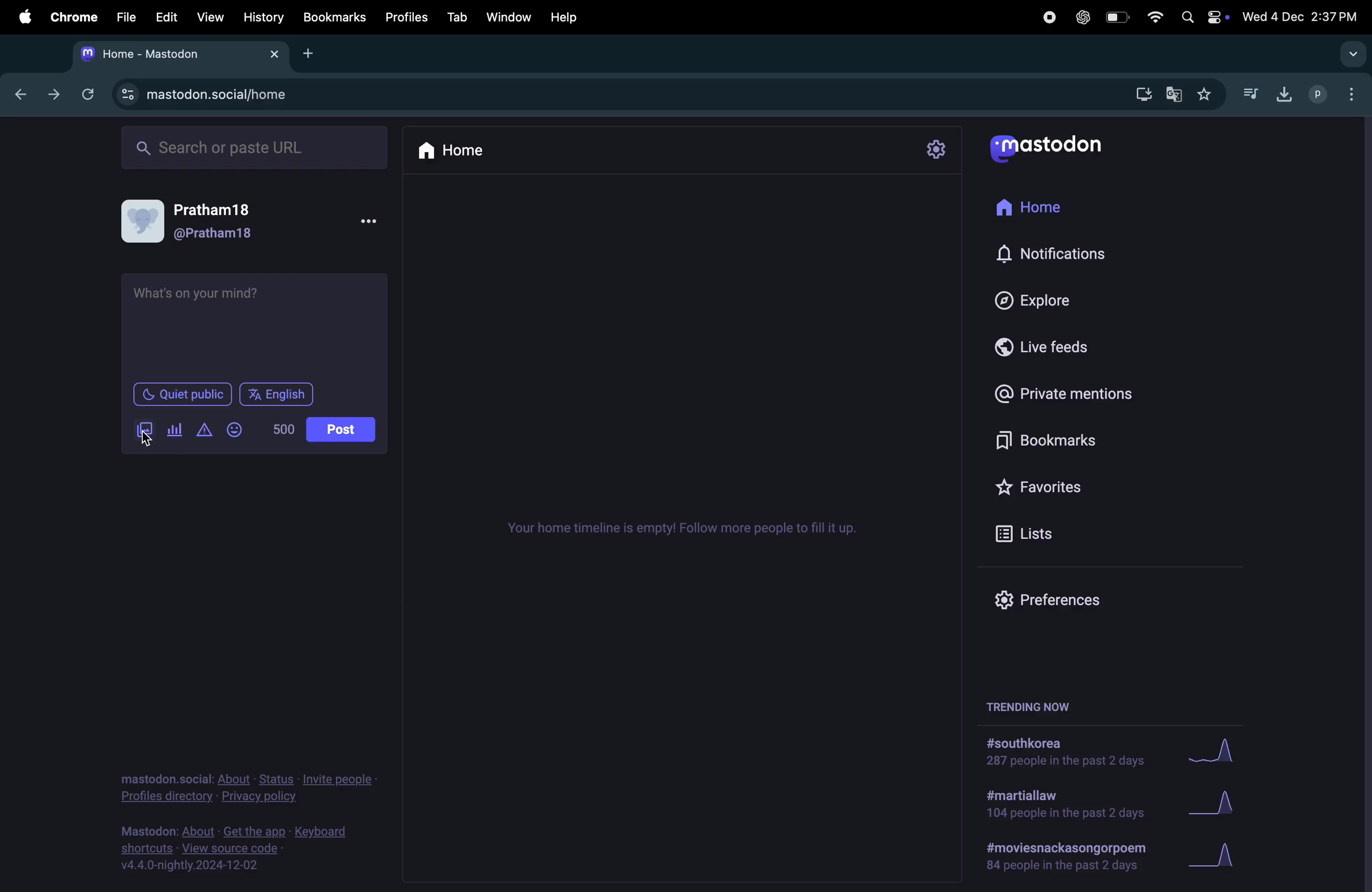 Image resolution: width=1372 pixels, height=892 pixels. What do you see at coordinates (235, 430) in the screenshot?
I see `emoji` at bounding box center [235, 430].